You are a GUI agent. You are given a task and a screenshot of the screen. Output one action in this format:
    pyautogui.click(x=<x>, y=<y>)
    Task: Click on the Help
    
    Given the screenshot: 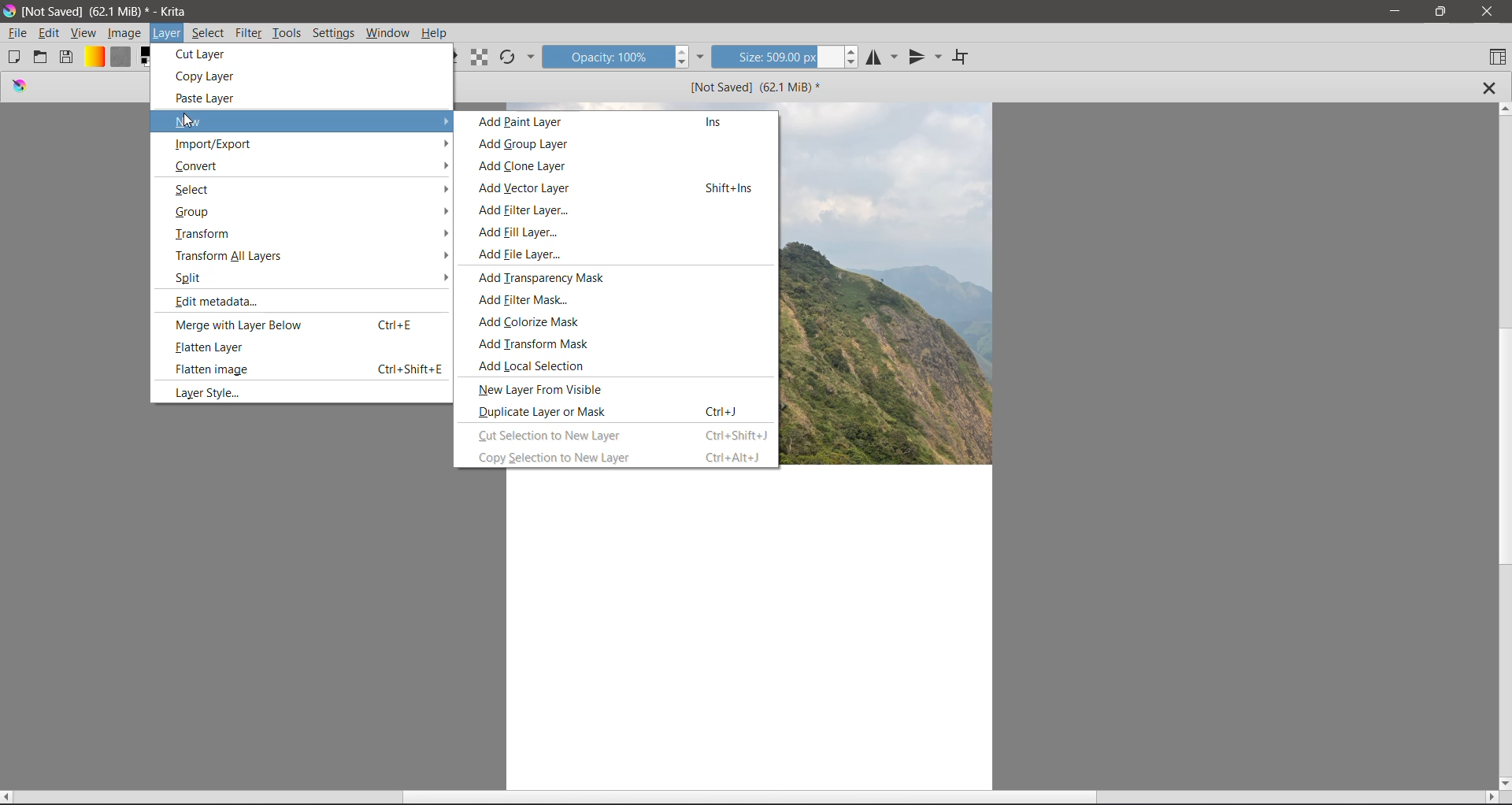 What is the action you would take?
    pyautogui.click(x=434, y=33)
    